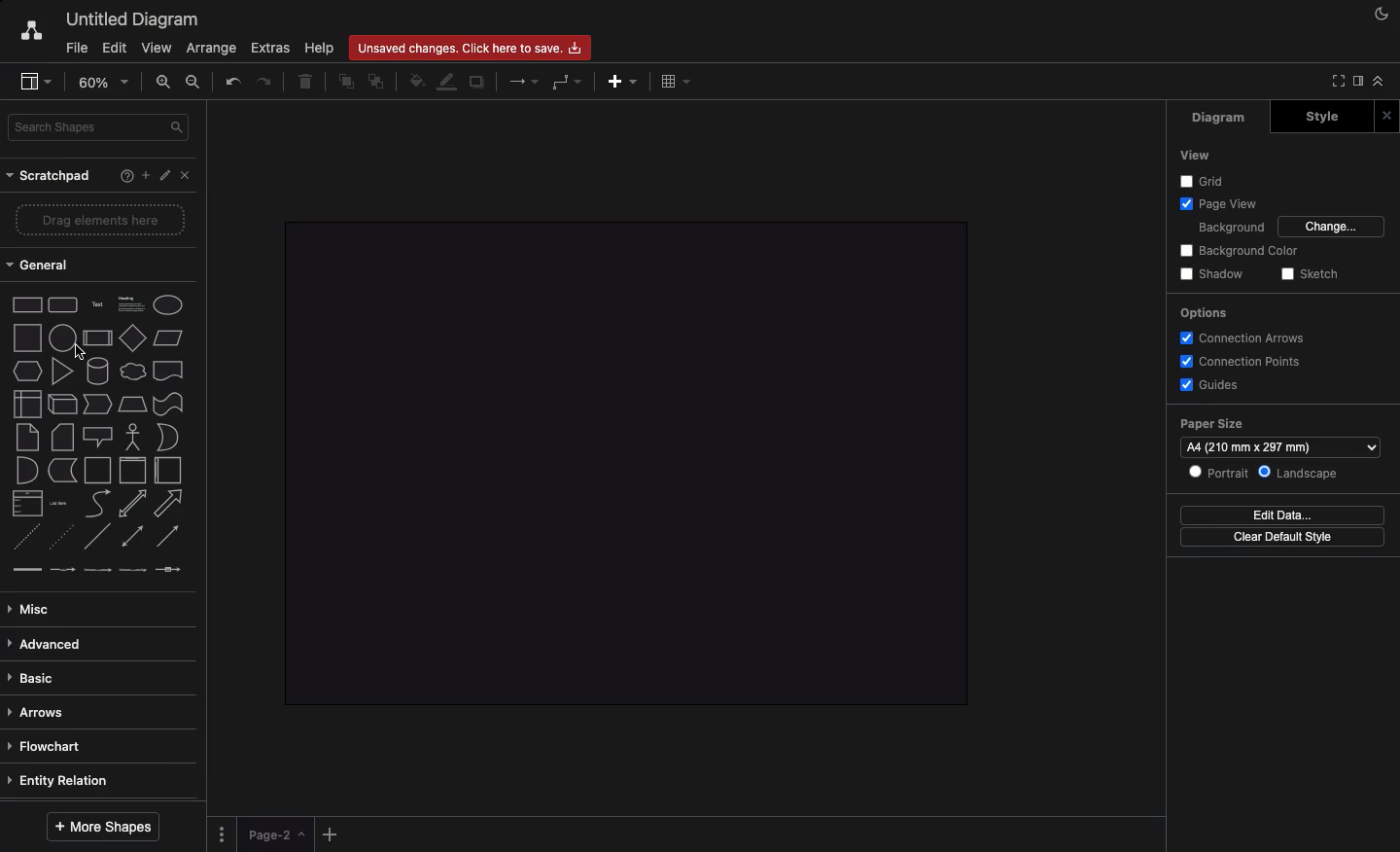  I want to click on Shapes, so click(40, 469).